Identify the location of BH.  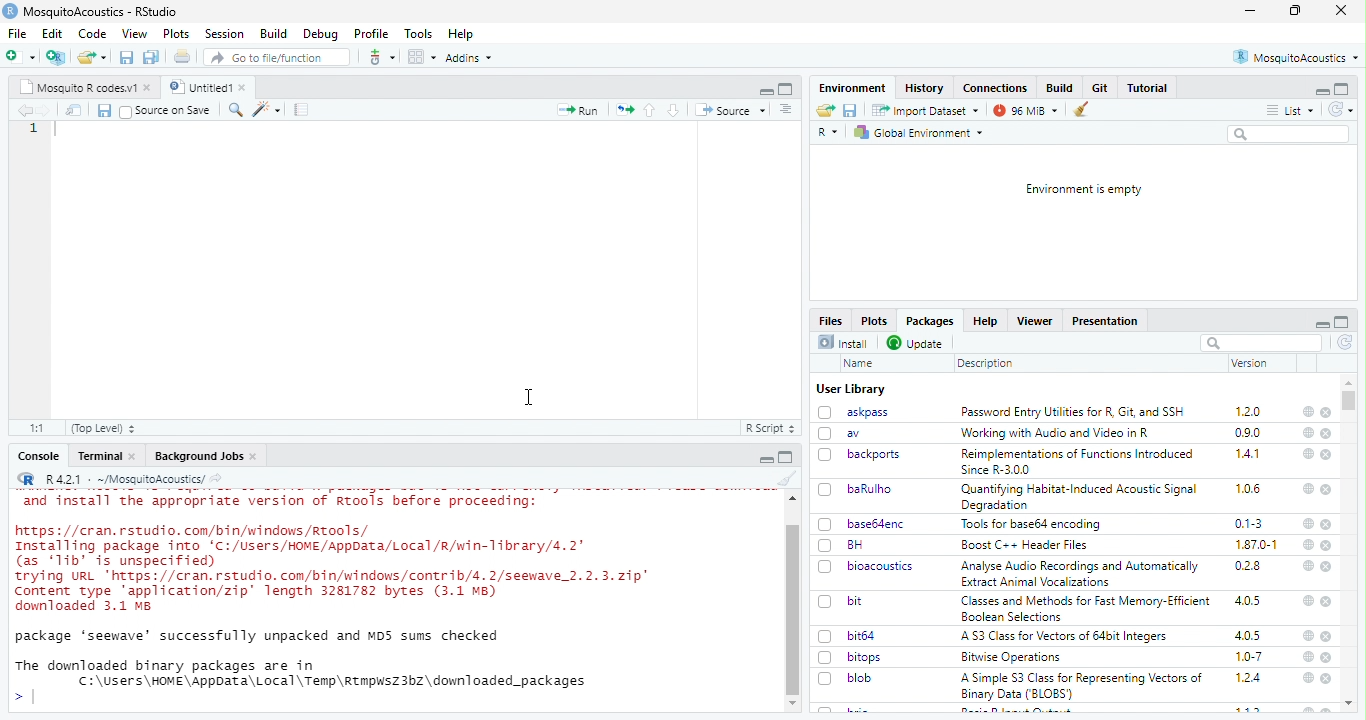
(855, 545).